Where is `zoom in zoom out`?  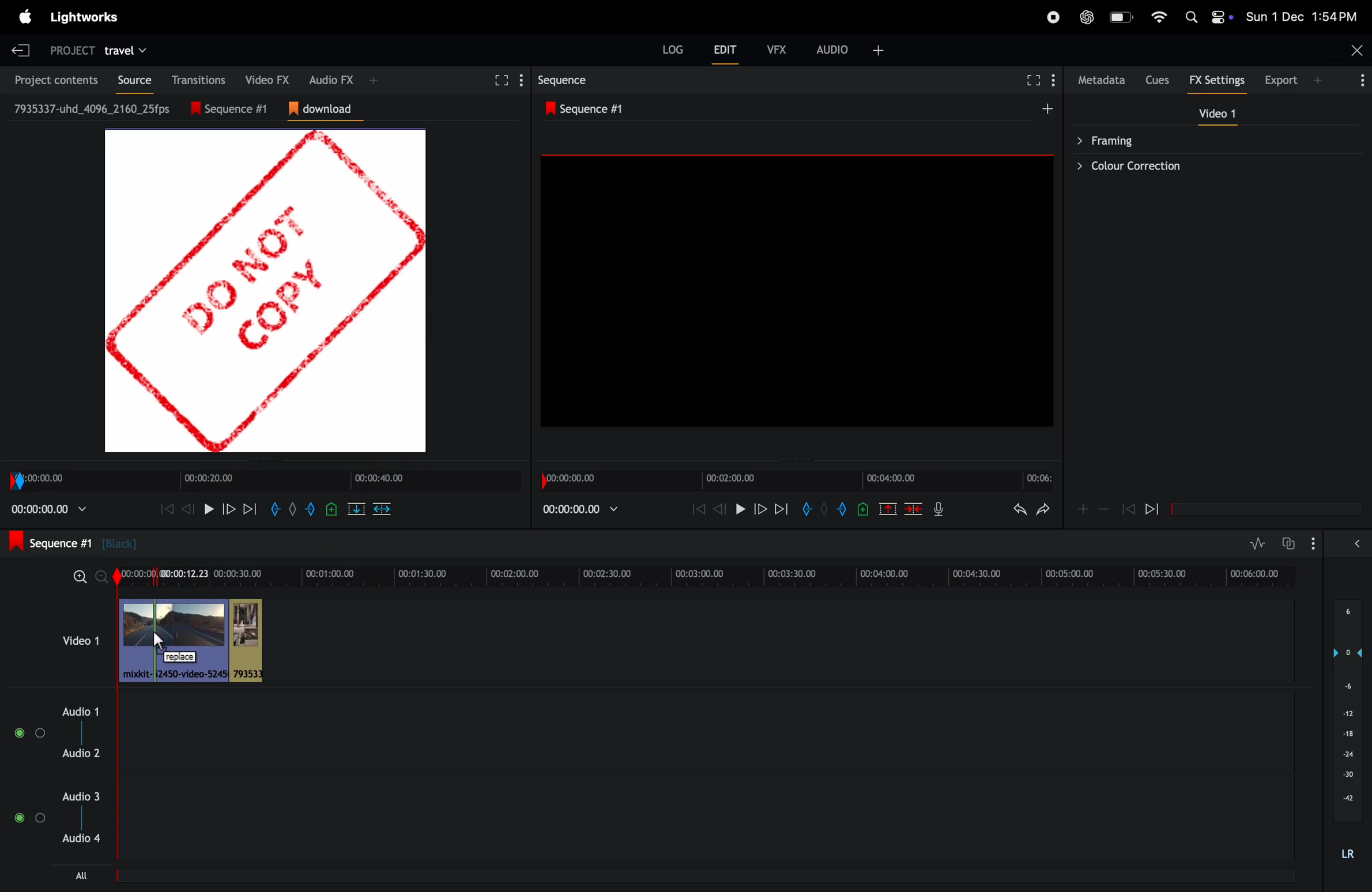 zoom in zoom out is located at coordinates (1104, 508).